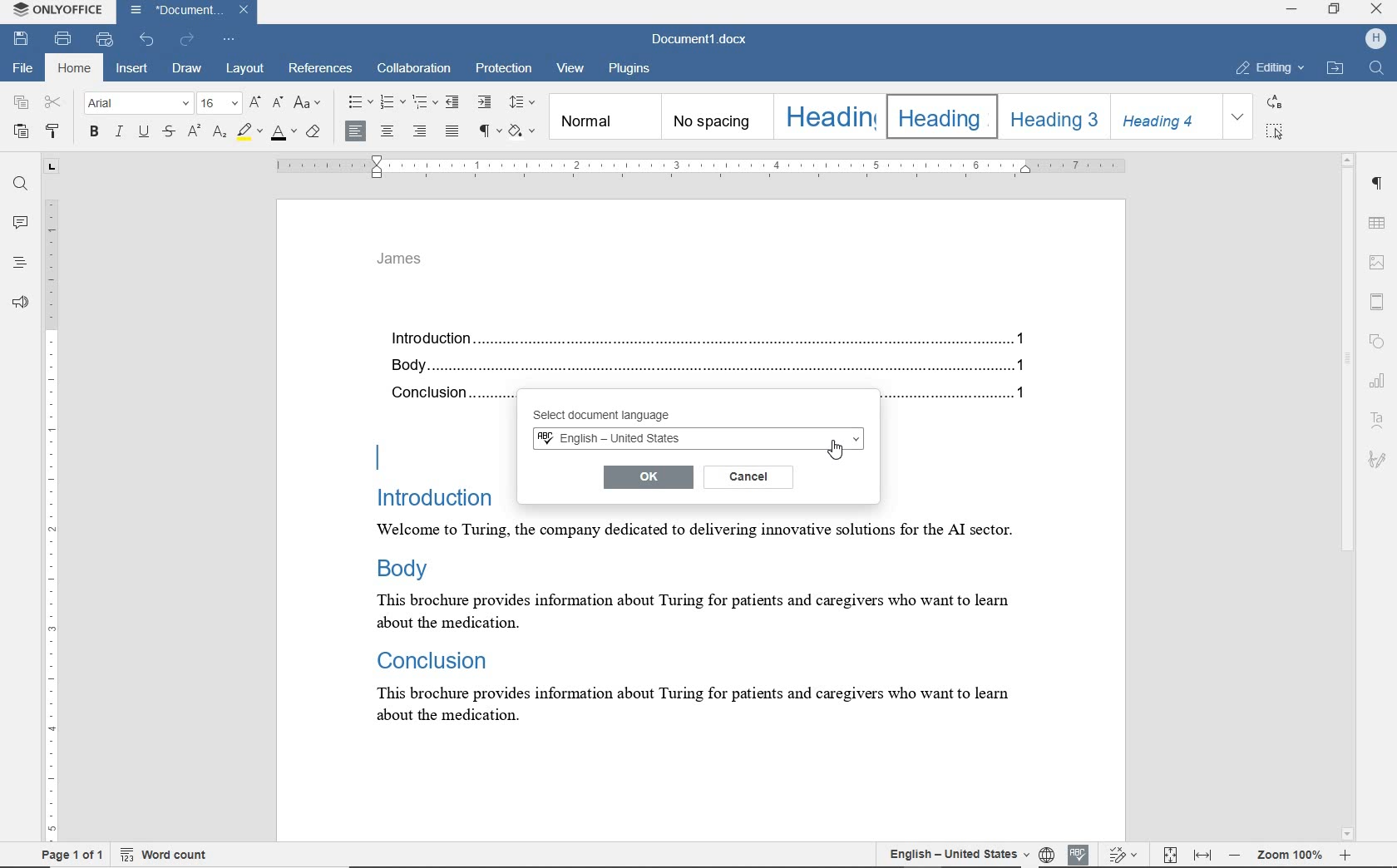  What do you see at coordinates (22, 103) in the screenshot?
I see `copy` at bounding box center [22, 103].